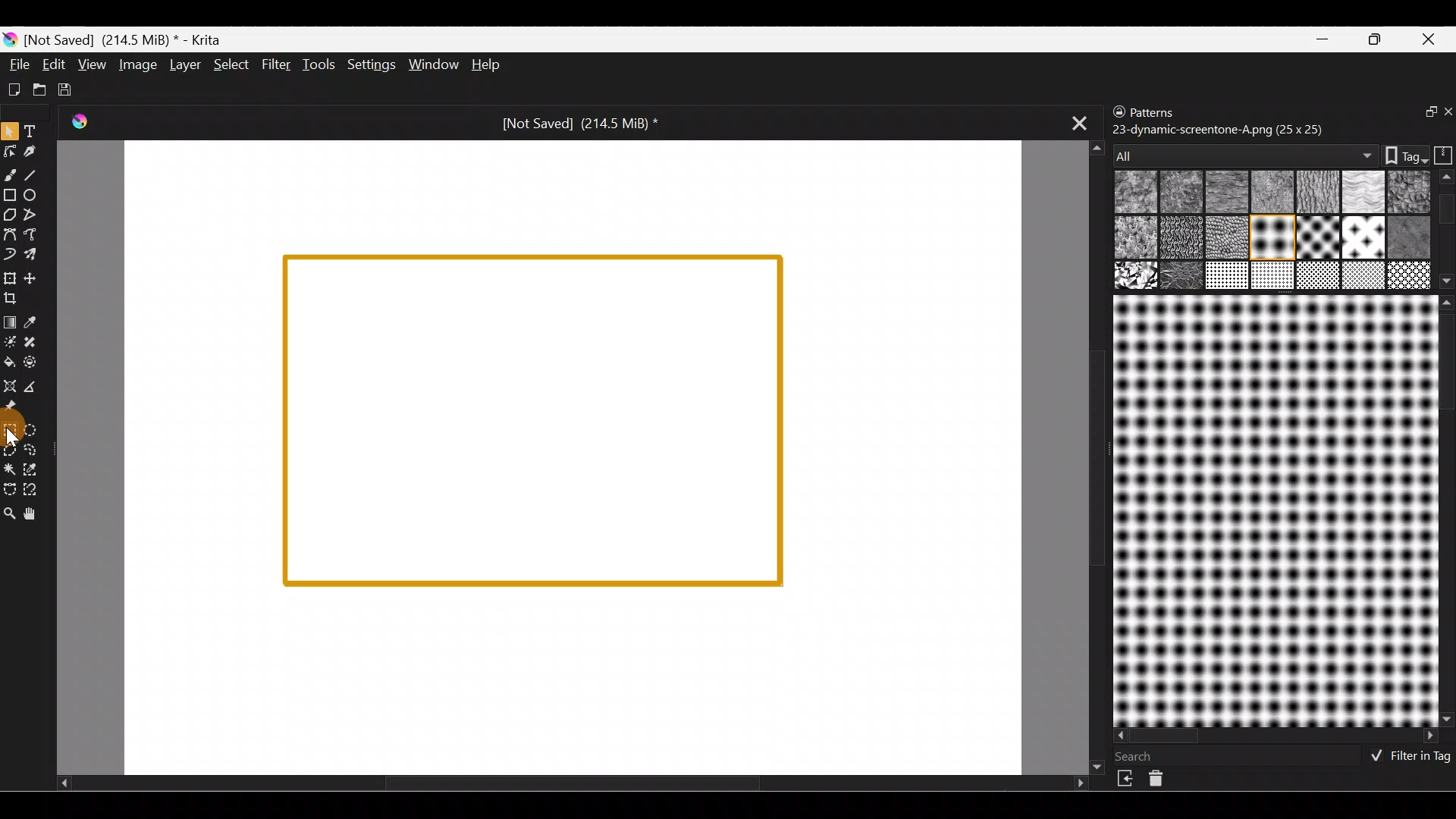 The image size is (1456, 819). Describe the element at coordinates (38, 362) in the screenshot. I see `Enclose & fill tool` at that location.